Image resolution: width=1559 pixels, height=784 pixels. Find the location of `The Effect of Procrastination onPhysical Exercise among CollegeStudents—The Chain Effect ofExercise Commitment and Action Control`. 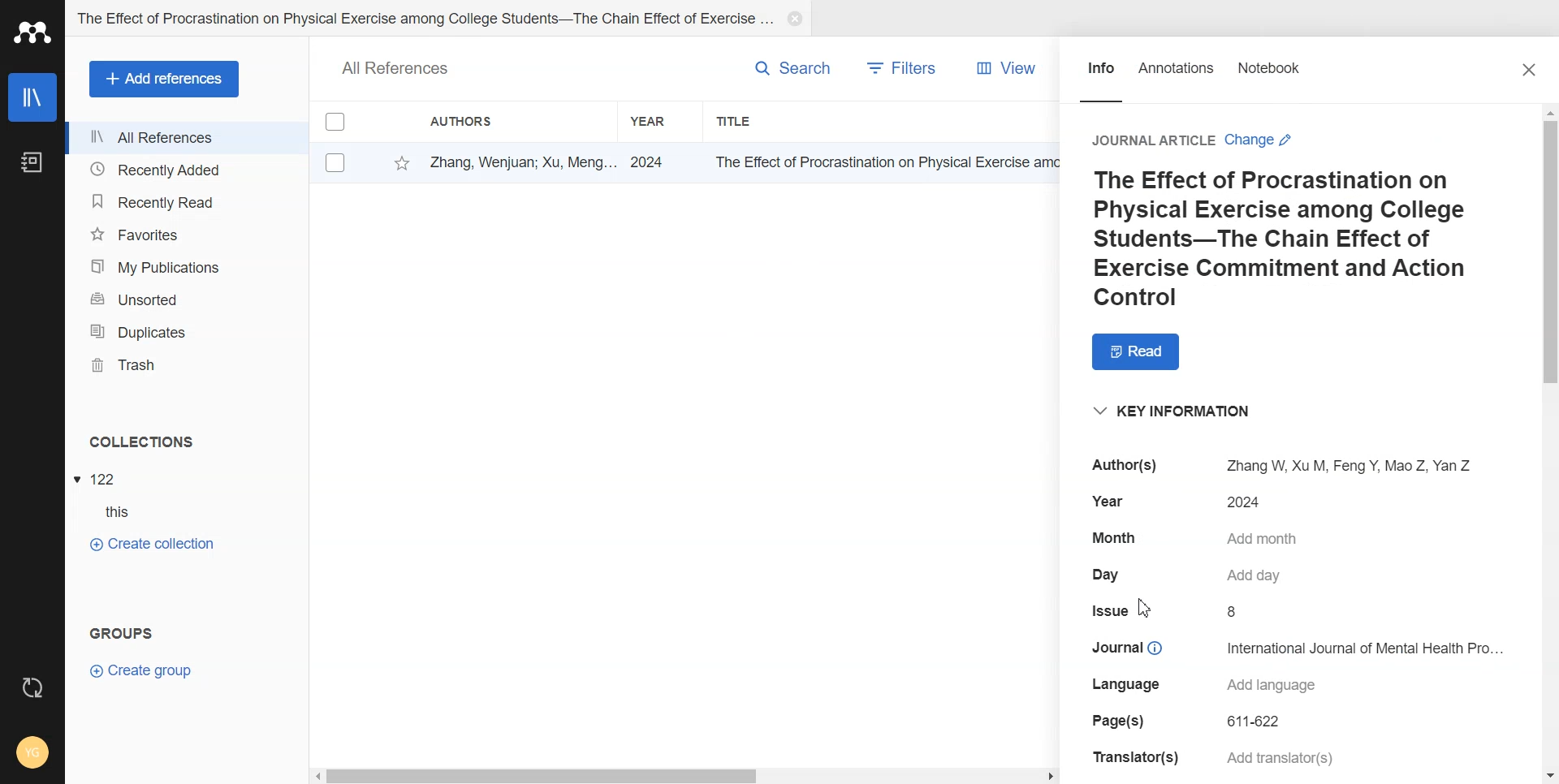

The Effect of Procrastination onPhysical Exercise among CollegeStudents—The Chain Effect ofExercise Commitment and Action Control is located at coordinates (1285, 240).